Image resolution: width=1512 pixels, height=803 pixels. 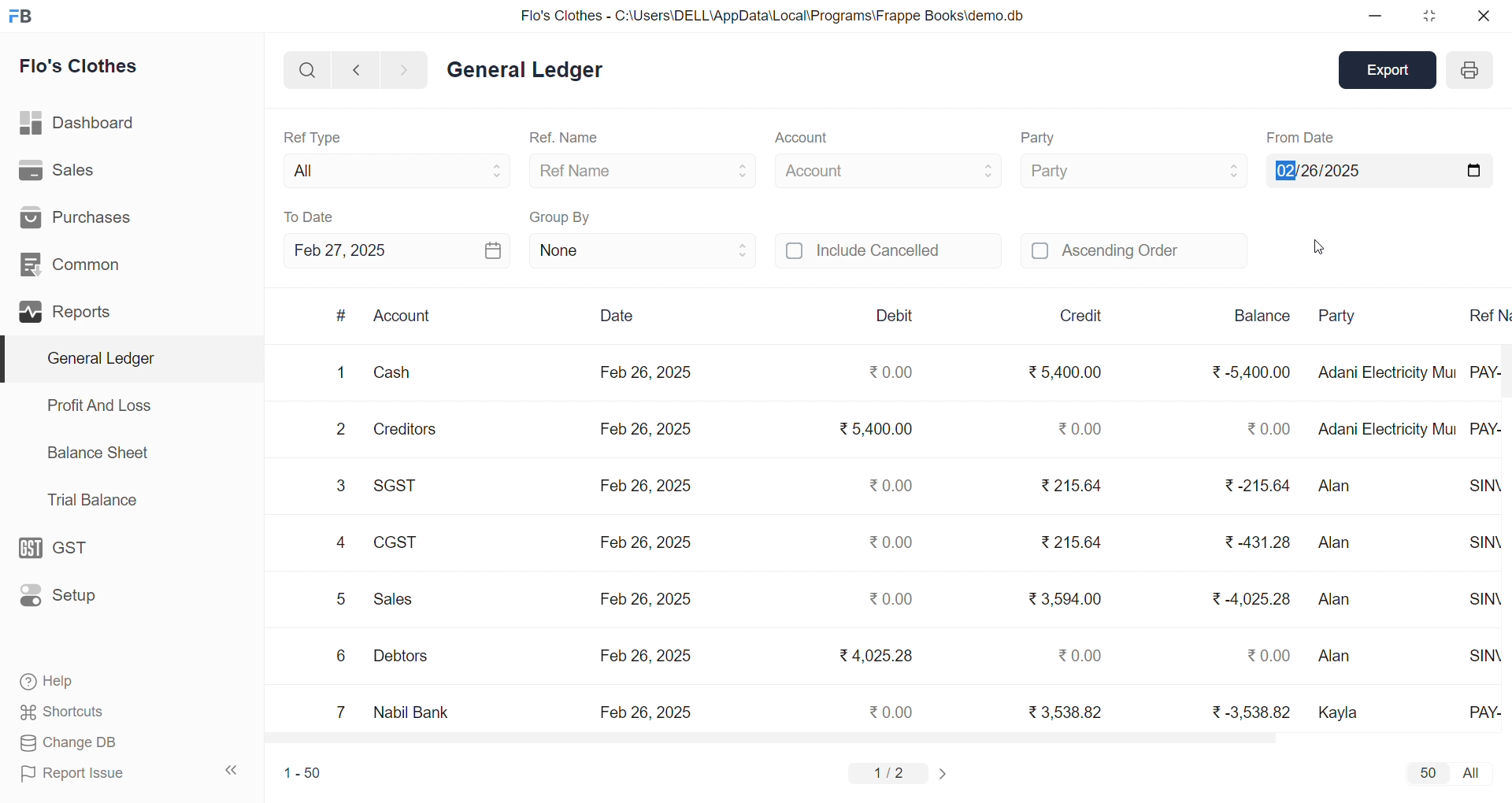 I want to click on Party, so click(x=1132, y=169).